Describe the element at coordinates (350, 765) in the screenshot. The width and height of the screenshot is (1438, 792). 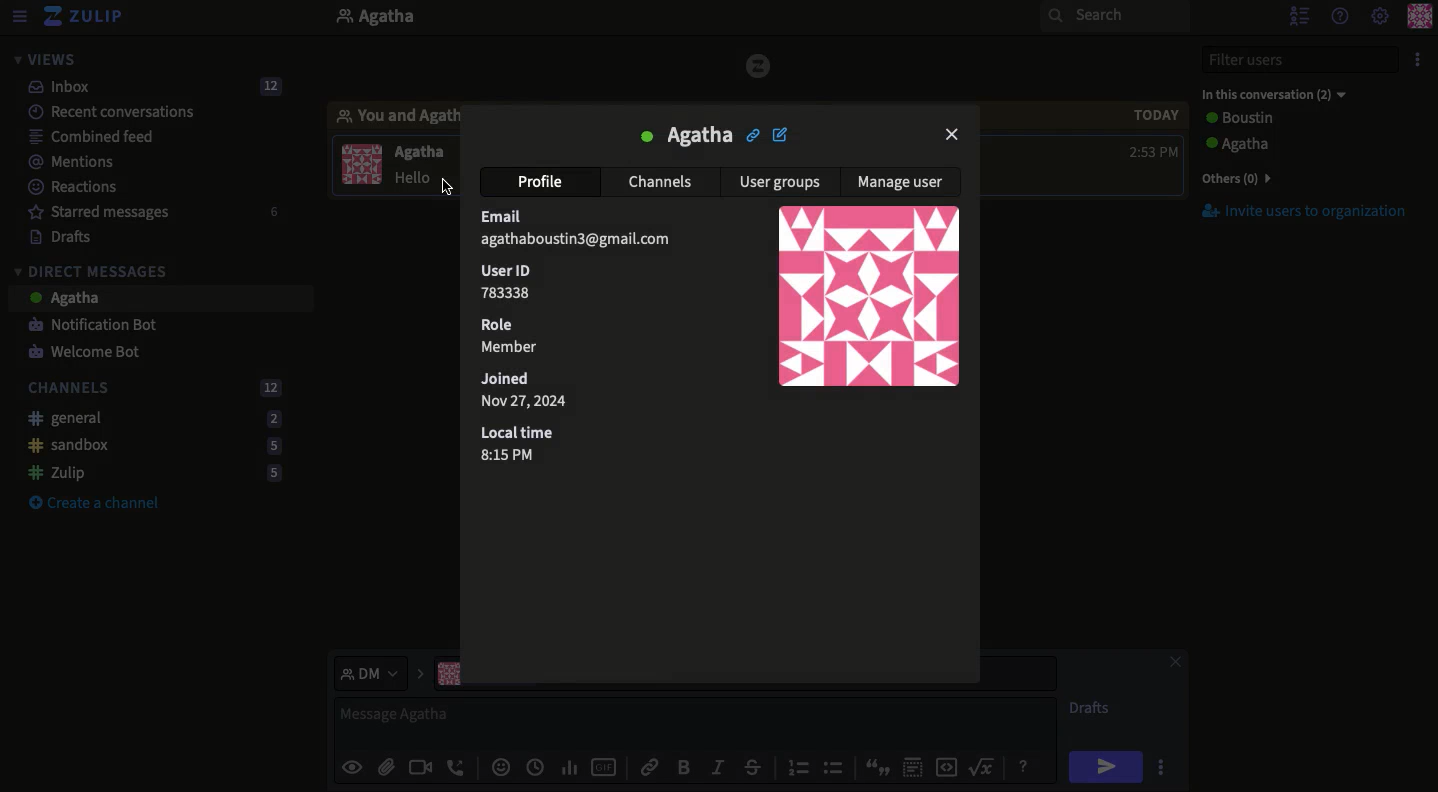
I see `Preview` at that location.